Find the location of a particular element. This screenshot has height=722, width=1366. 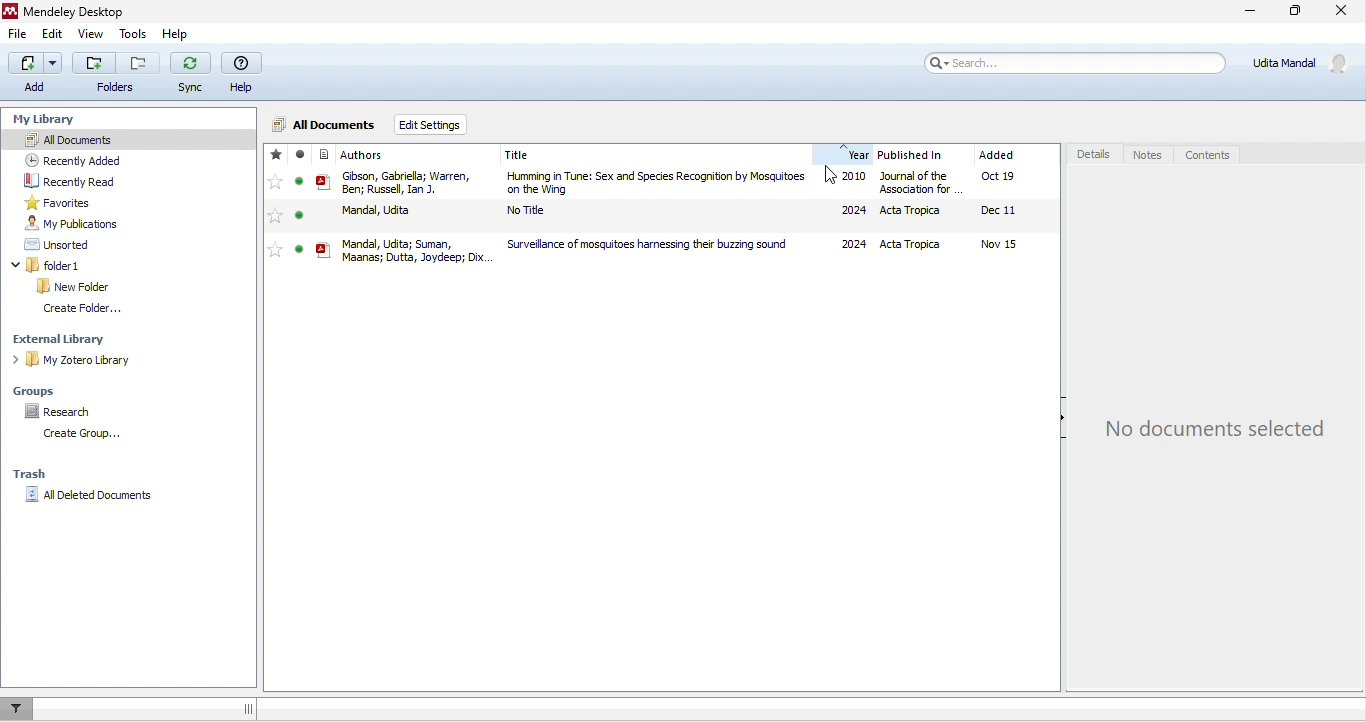

folders is located at coordinates (114, 72).